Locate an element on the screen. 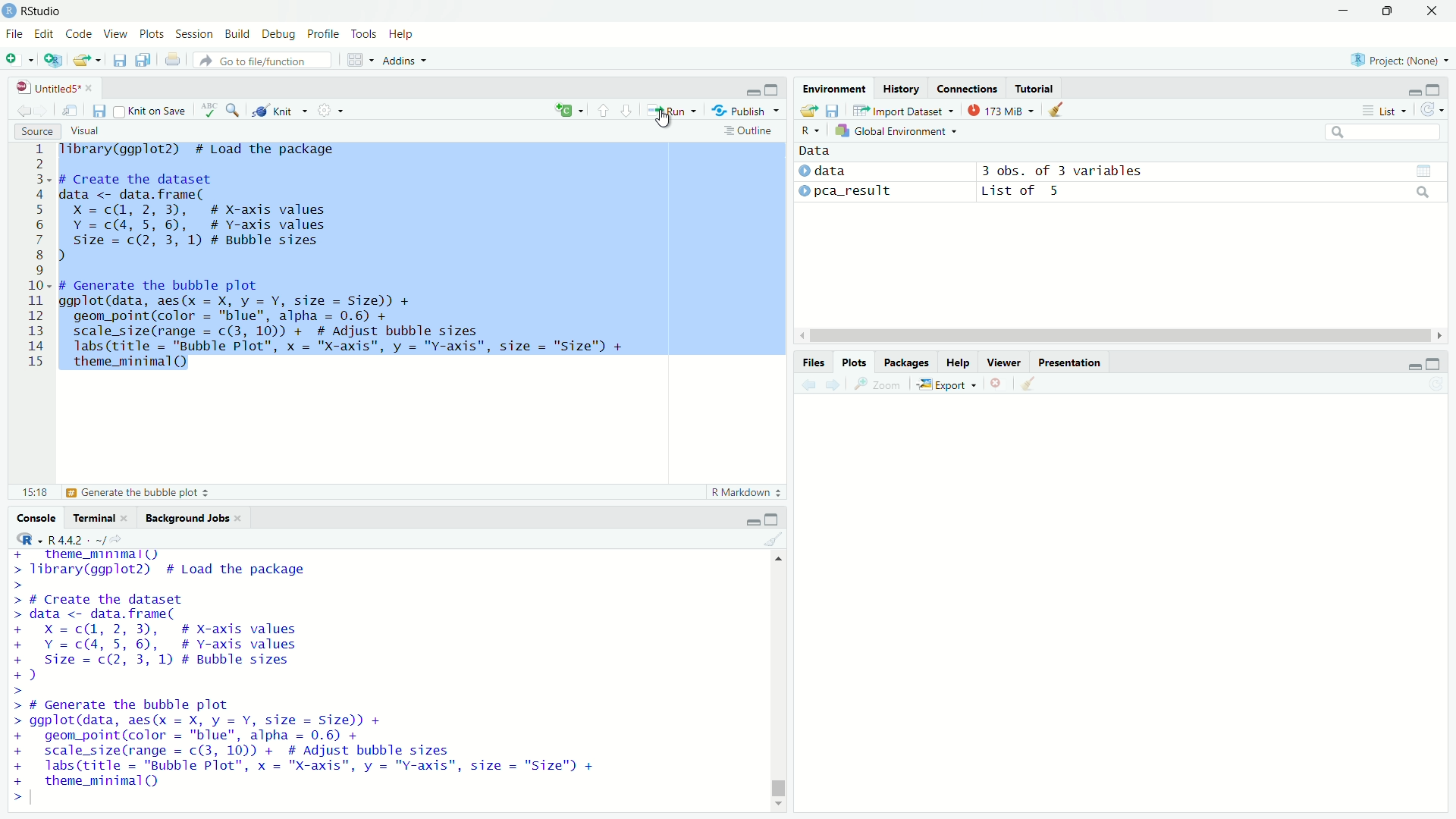 The image size is (1456, 819). plots is located at coordinates (152, 36).